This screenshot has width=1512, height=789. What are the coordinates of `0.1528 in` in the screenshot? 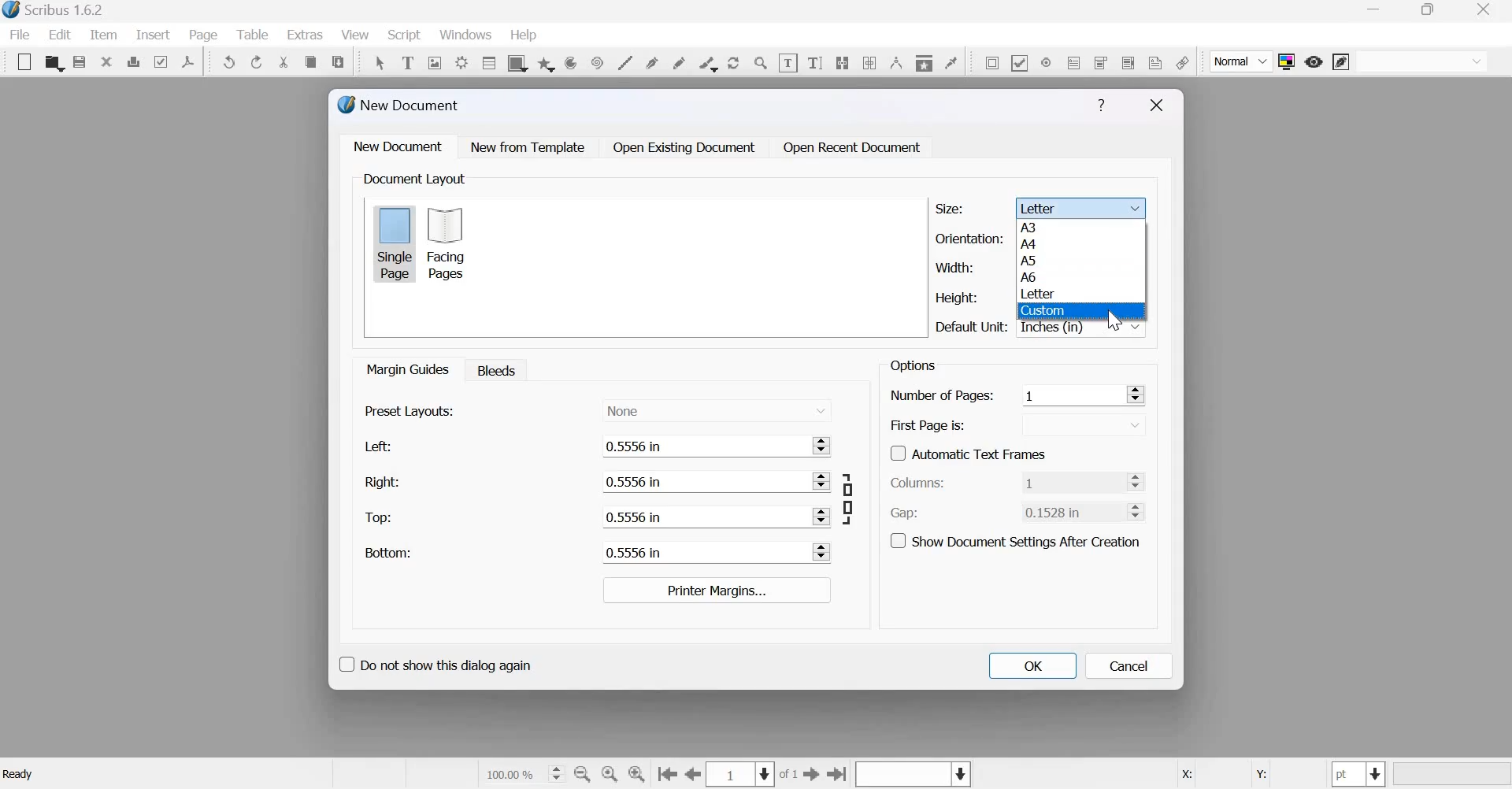 It's located at (1070, 510).